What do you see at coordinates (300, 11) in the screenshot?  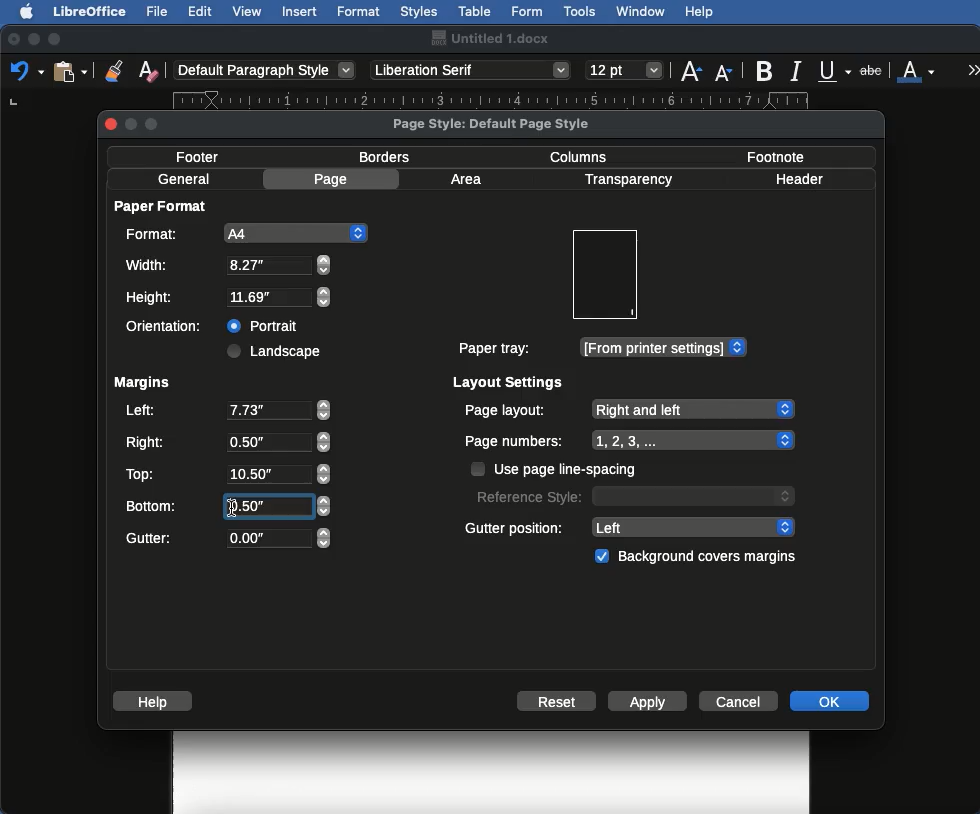 I see `Insert` at bounding box center [300, 11].